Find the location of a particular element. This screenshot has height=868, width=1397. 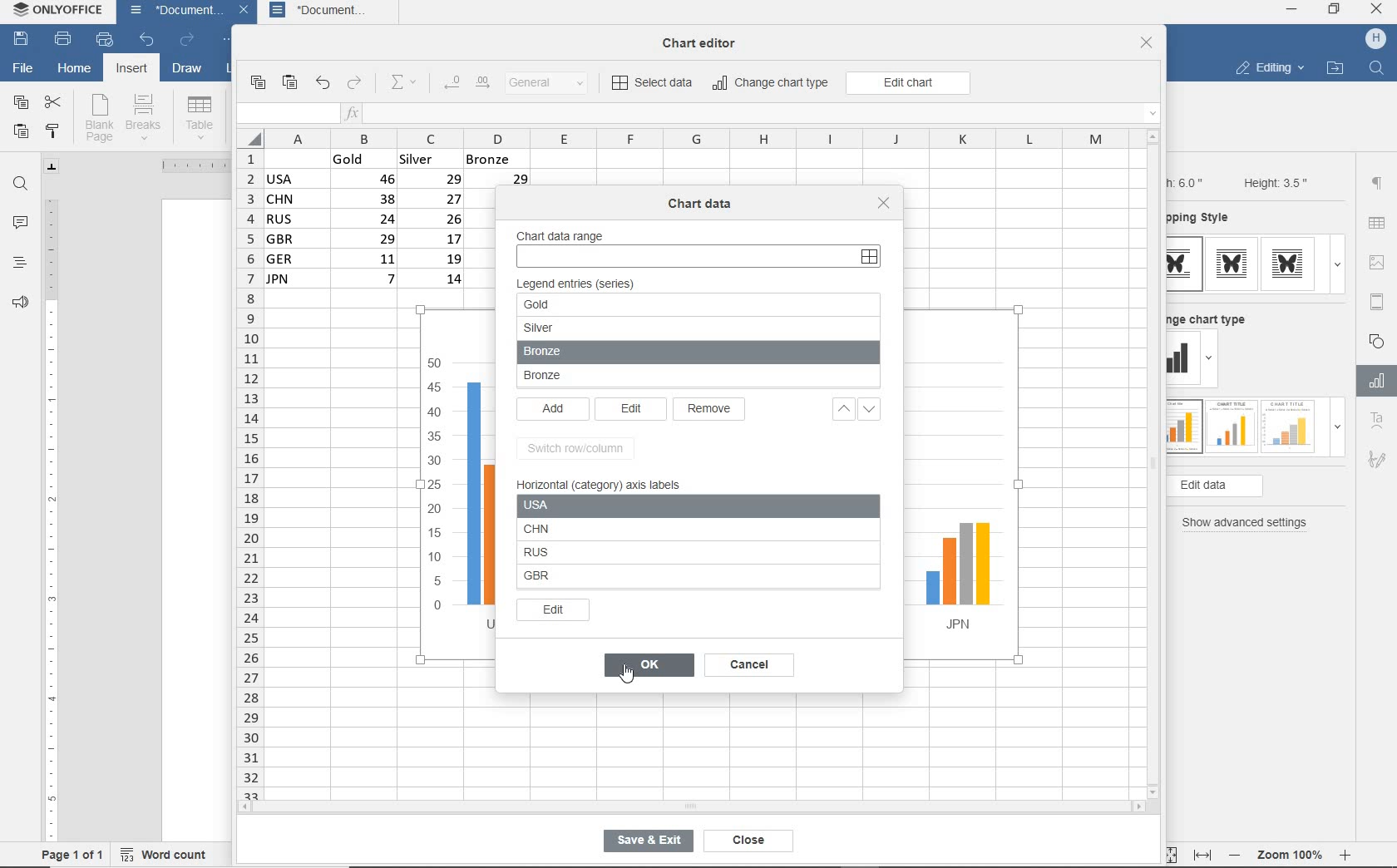

change decimal place is located at coordinates (466, 83).